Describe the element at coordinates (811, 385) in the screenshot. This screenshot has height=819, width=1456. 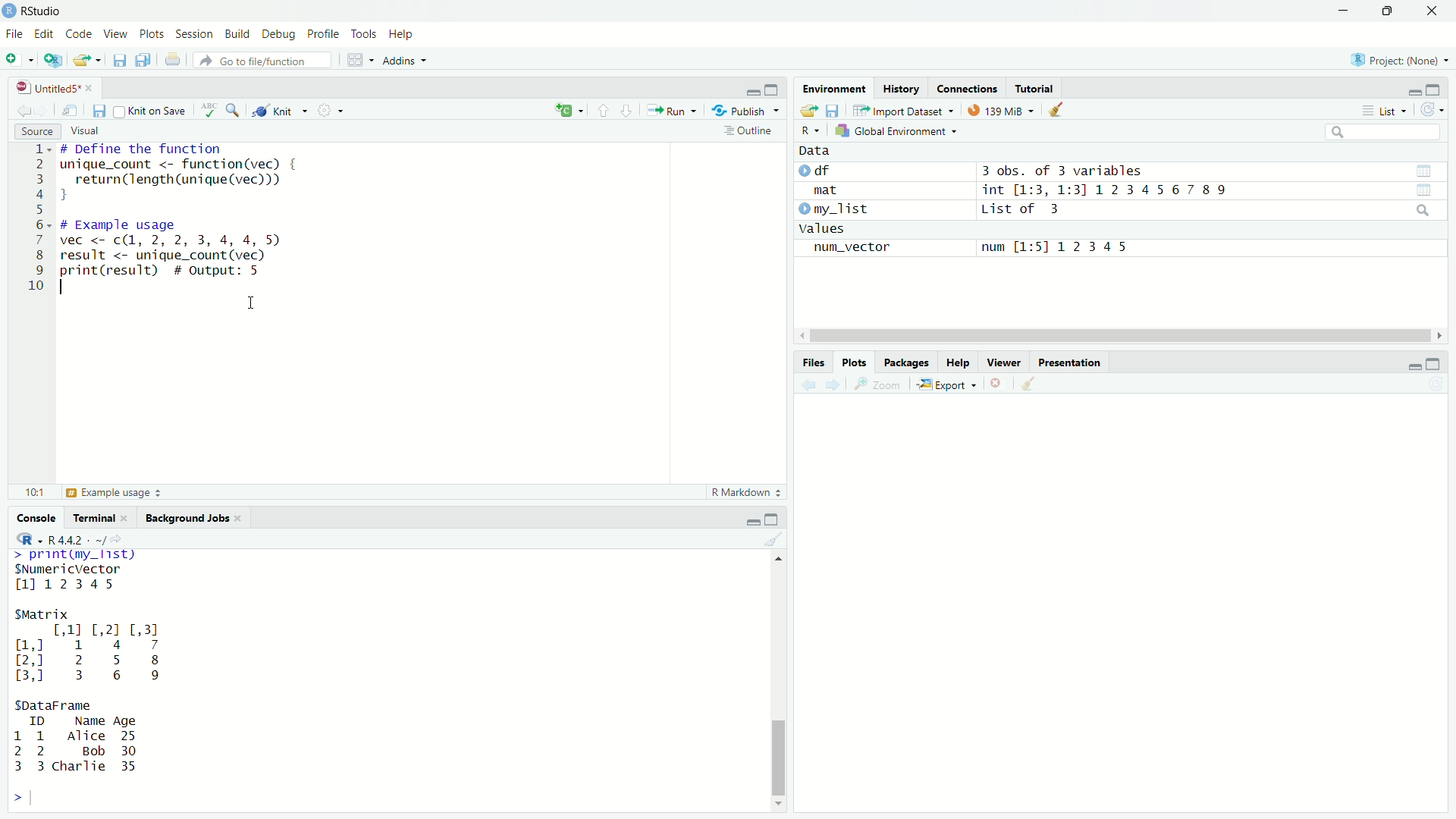
I see `back` at that location.